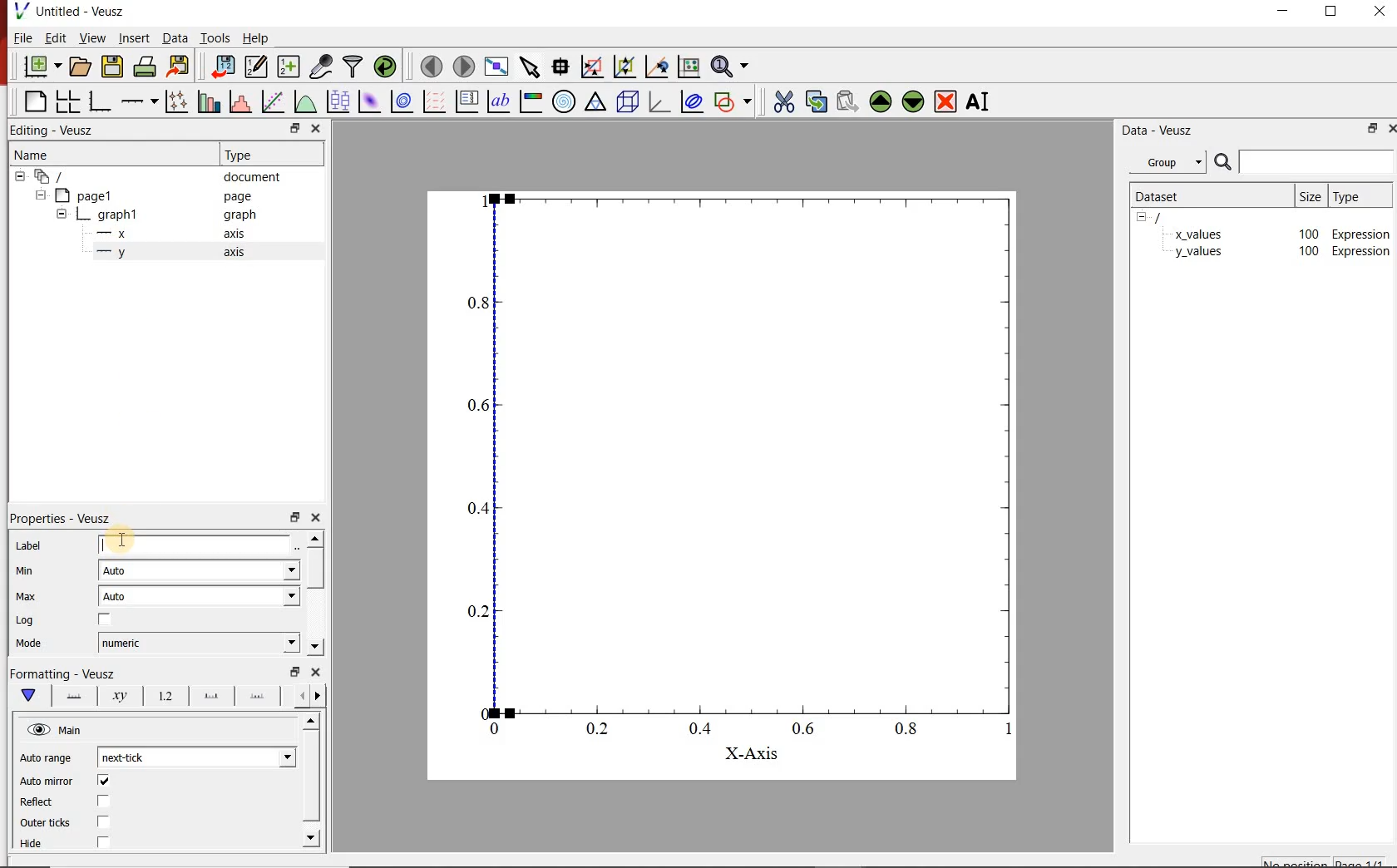  I want to click on open document, so click(81, 66).